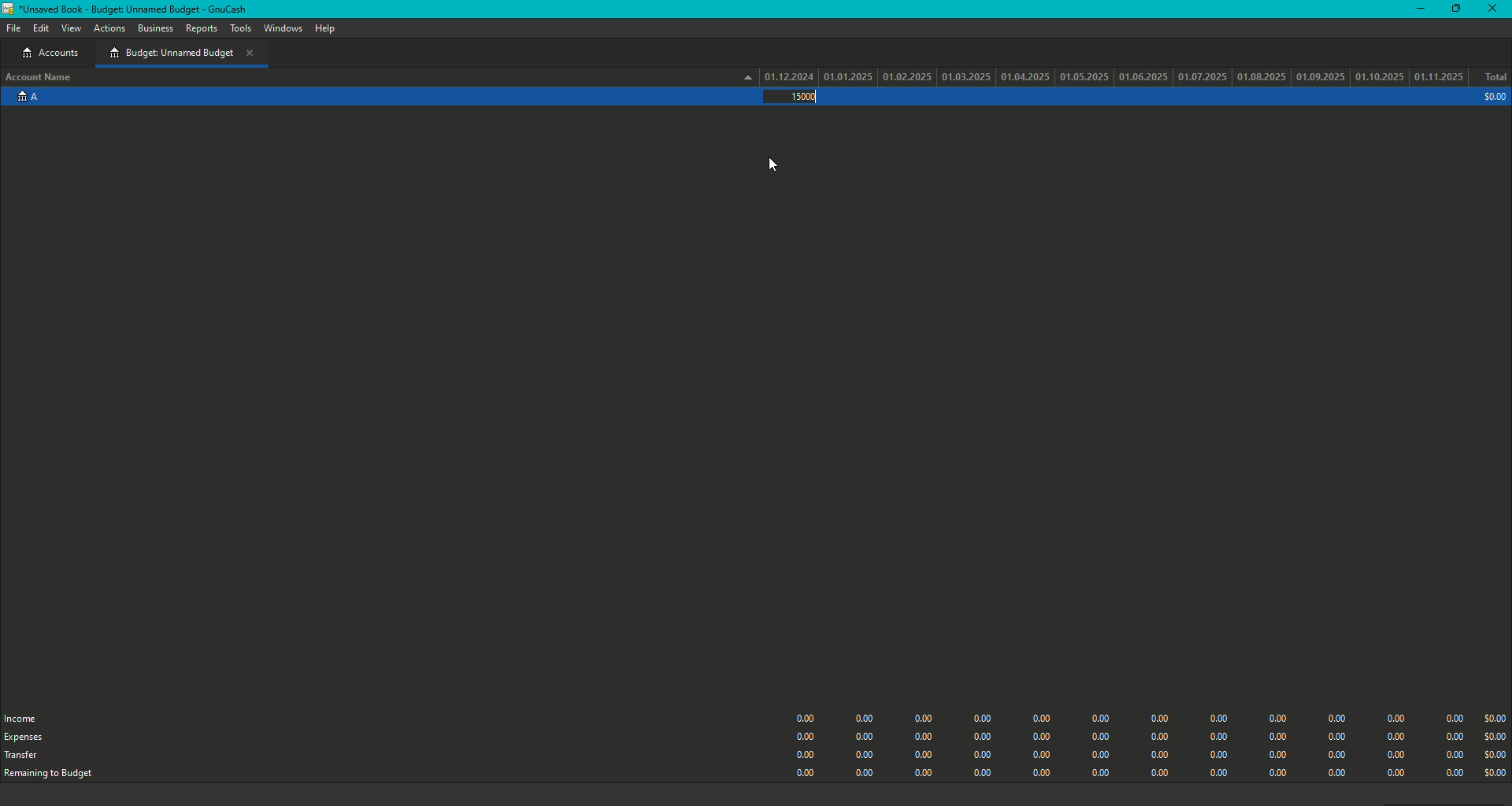  Describe the element at coordinates (23, 758) in the screenshot. I see `Transfer` at that location.